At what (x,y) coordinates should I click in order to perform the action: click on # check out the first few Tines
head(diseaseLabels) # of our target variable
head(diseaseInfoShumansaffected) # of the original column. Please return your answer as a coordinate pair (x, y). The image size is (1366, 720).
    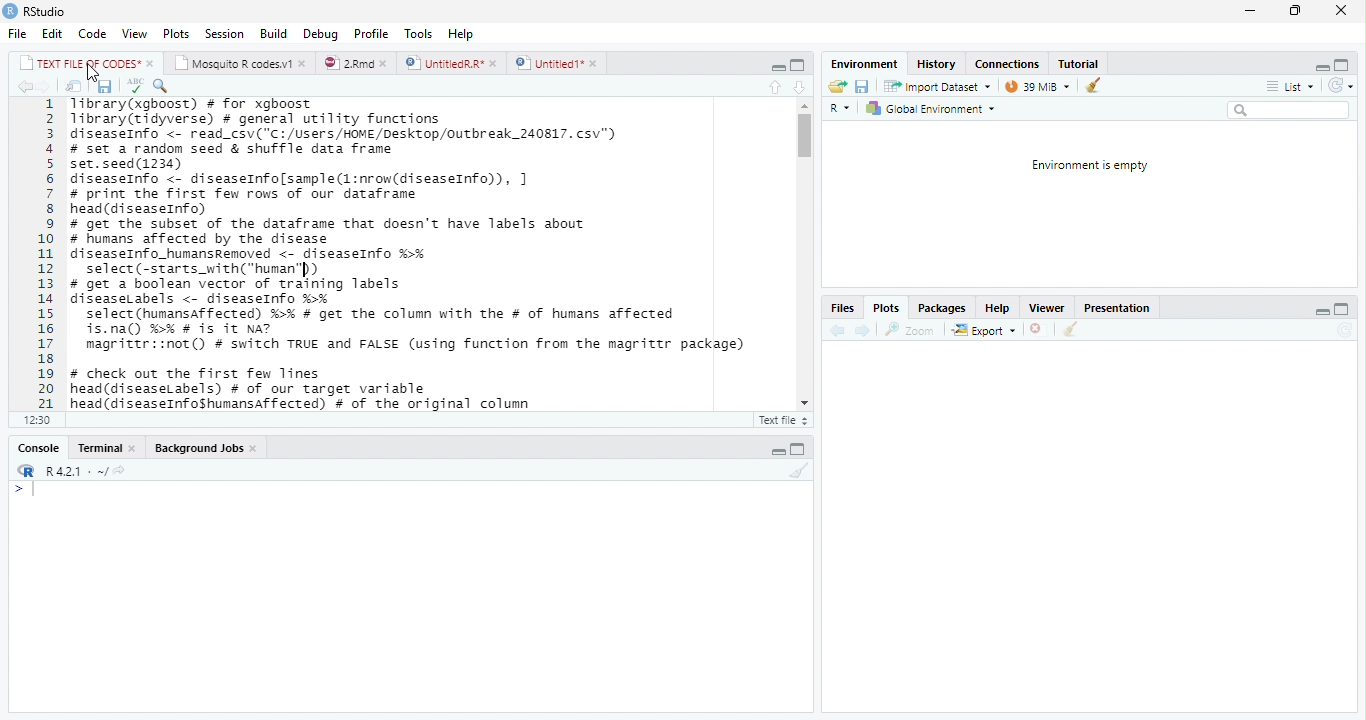
    Looking at the image, I should click on (305, 388).